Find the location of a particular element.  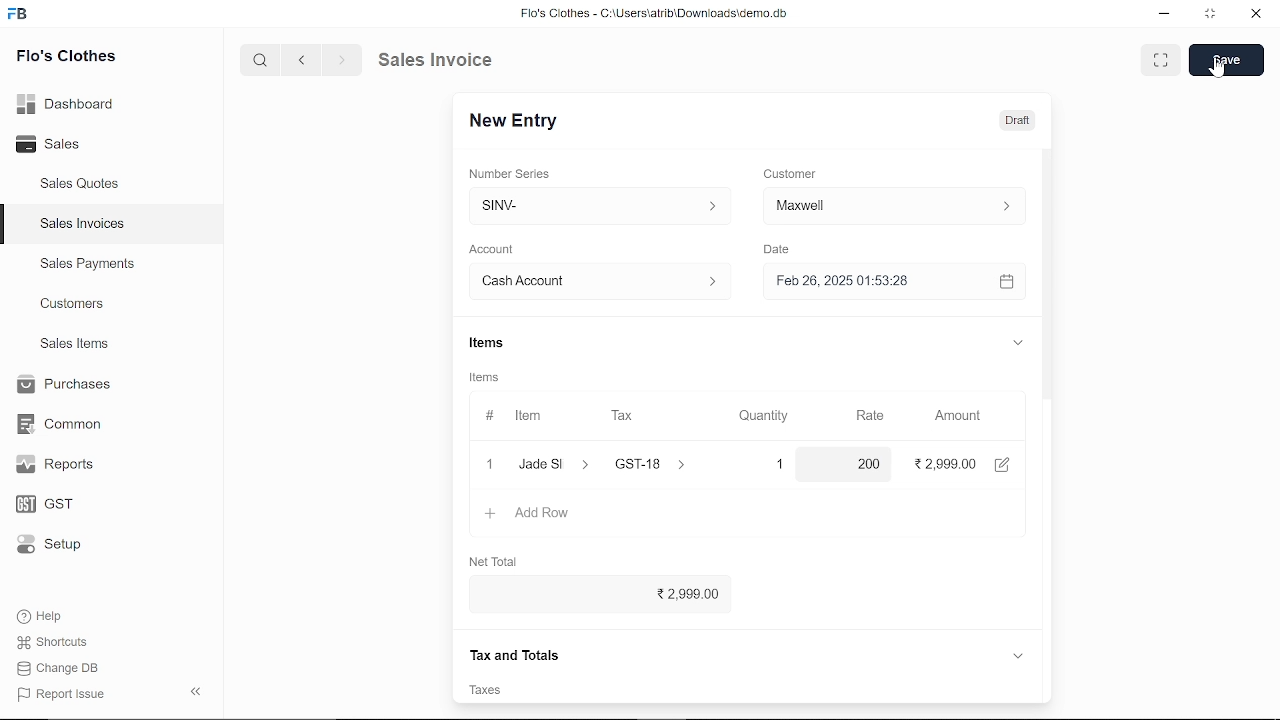

Items is located at coordinates (485, 345).